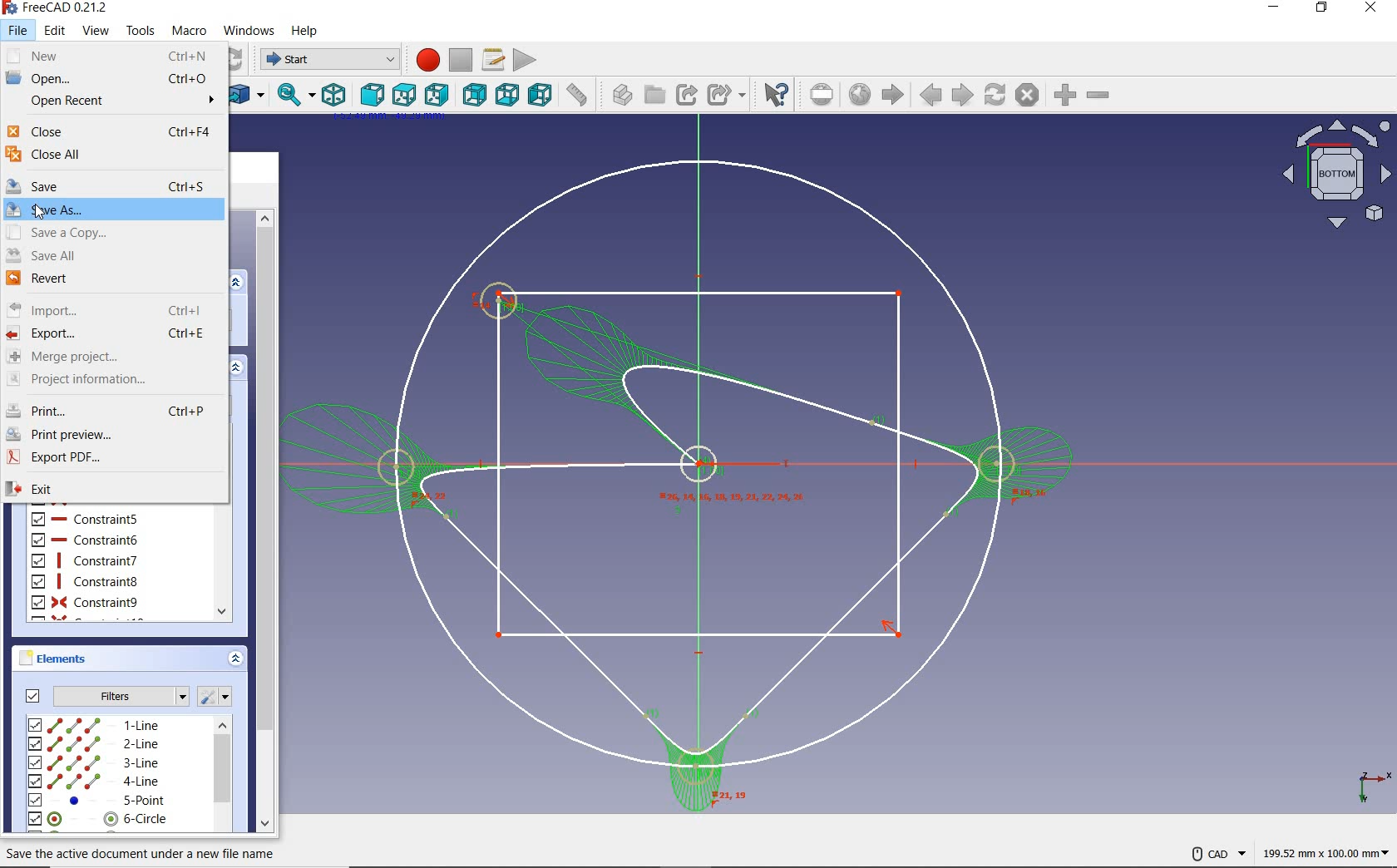 The width and height of the screenshot is (1397, 868). I want to click on constraint9, so click(86, 603).